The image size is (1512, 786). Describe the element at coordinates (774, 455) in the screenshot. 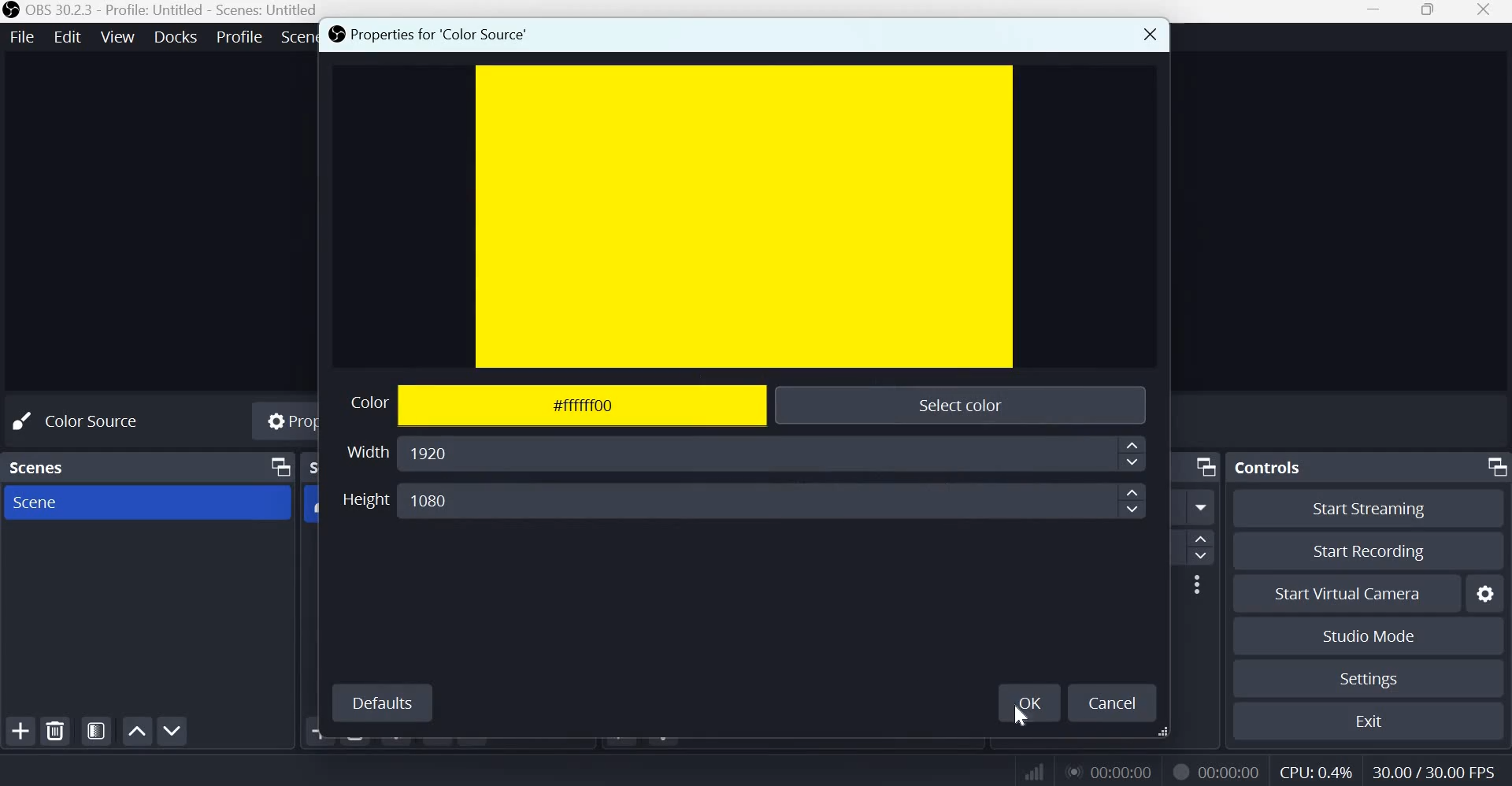

I see `Width input dropdown` at that location.